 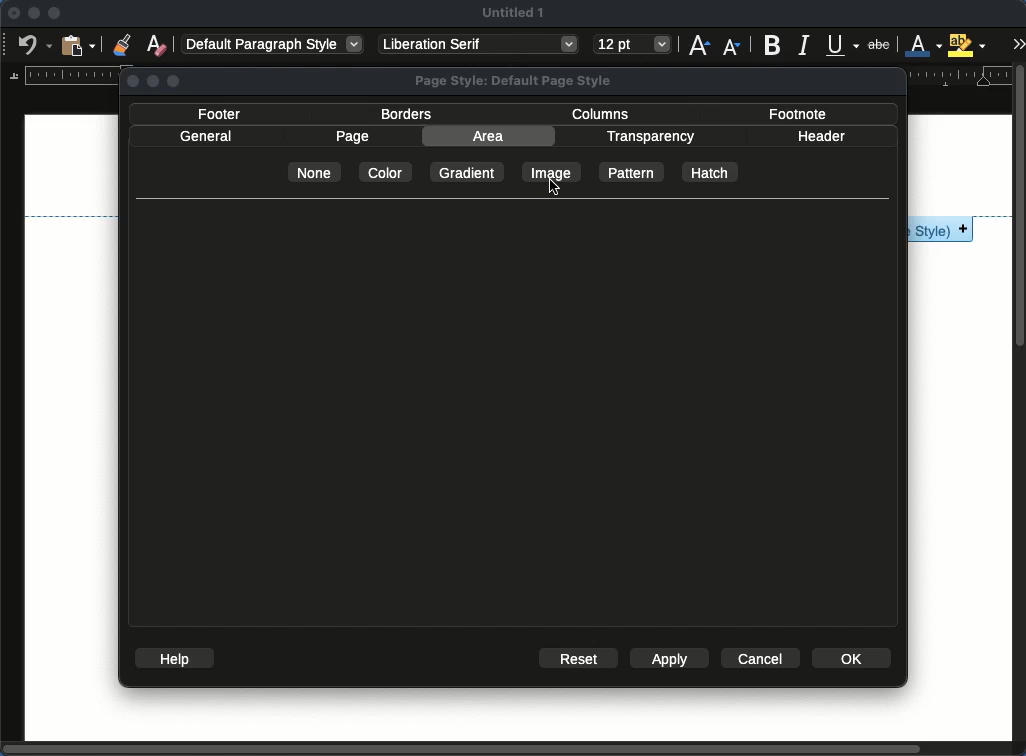 What do you see at coordinates (14, 13) in the screenshot?
I see `close` at bounding box center [14, 13].